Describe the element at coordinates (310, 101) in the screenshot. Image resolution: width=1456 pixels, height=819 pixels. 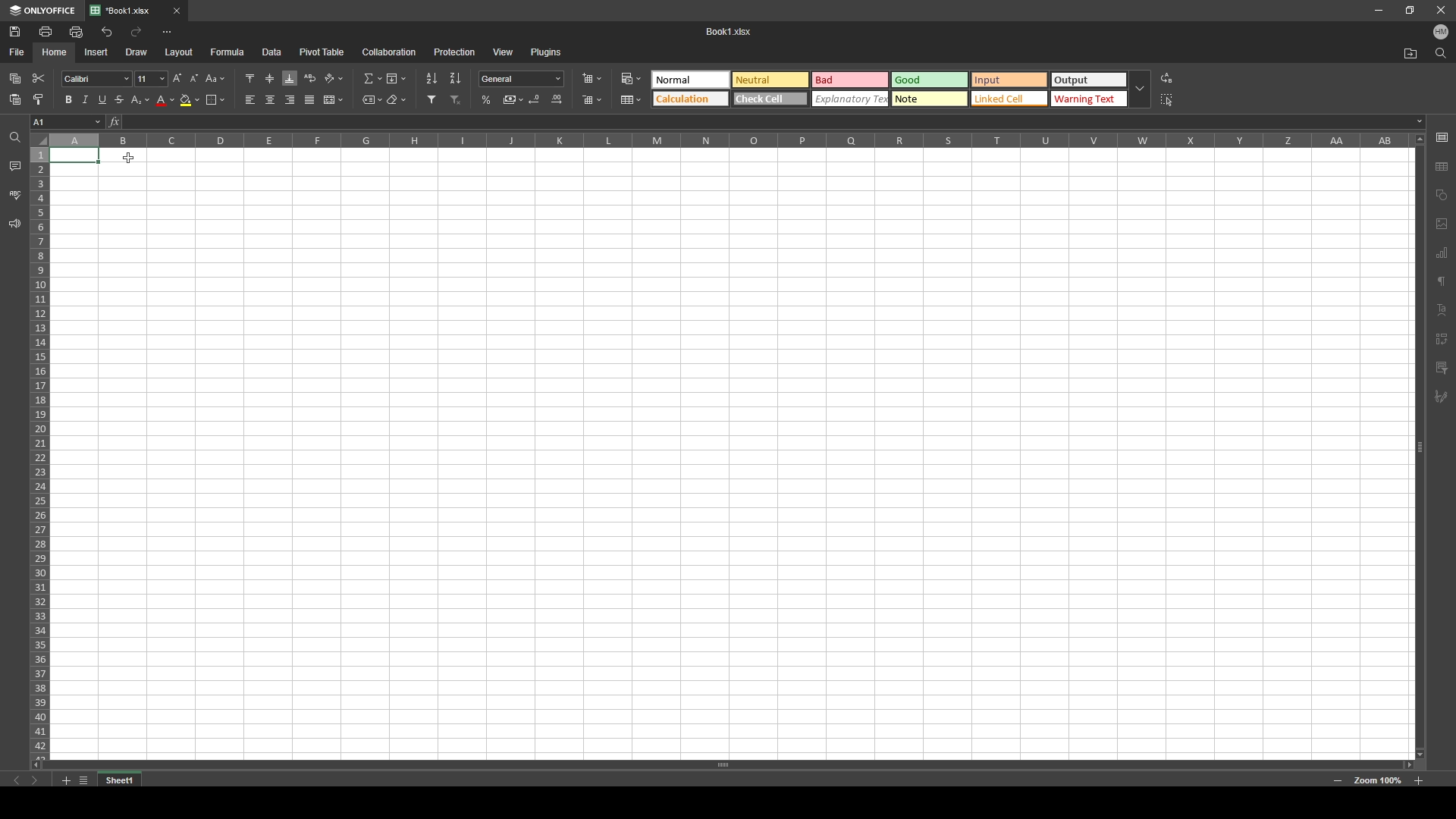
I see `justified` at that location.